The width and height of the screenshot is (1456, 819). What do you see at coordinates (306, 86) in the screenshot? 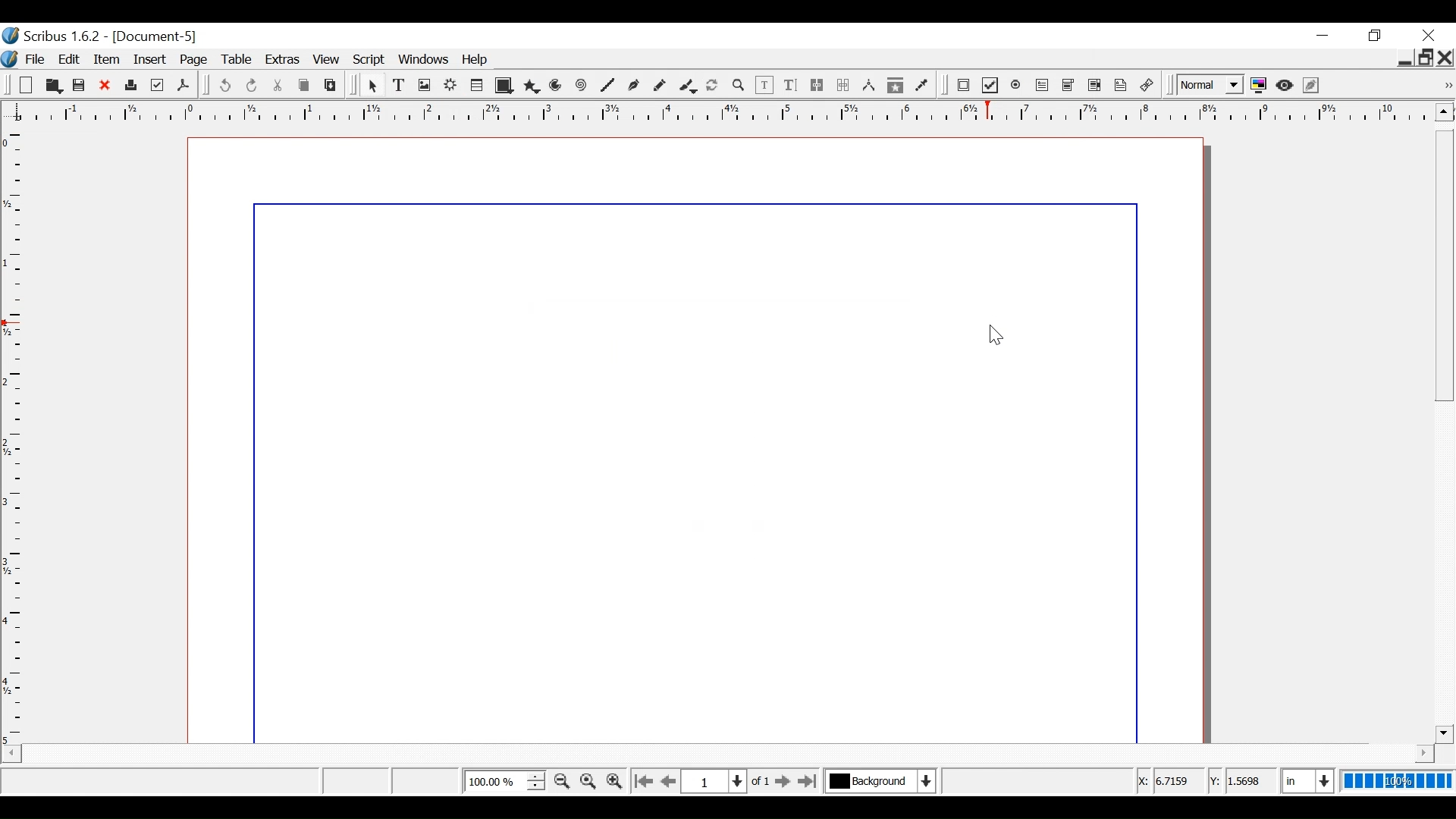
I see `Copy` at bounding box center [306, 86].